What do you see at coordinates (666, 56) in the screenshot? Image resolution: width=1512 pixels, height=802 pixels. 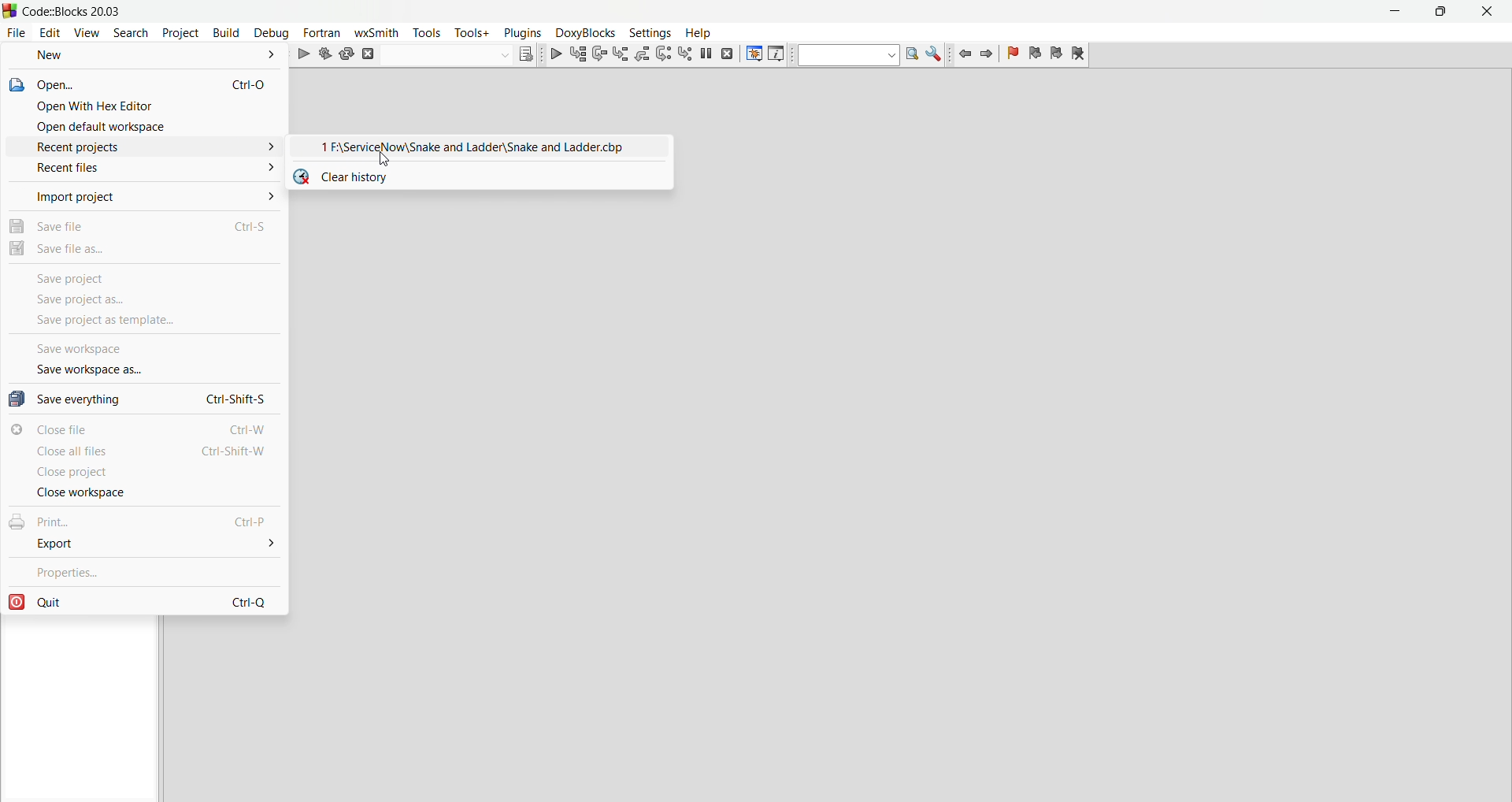 I see `next instructions` at bounding box center [666, 56].